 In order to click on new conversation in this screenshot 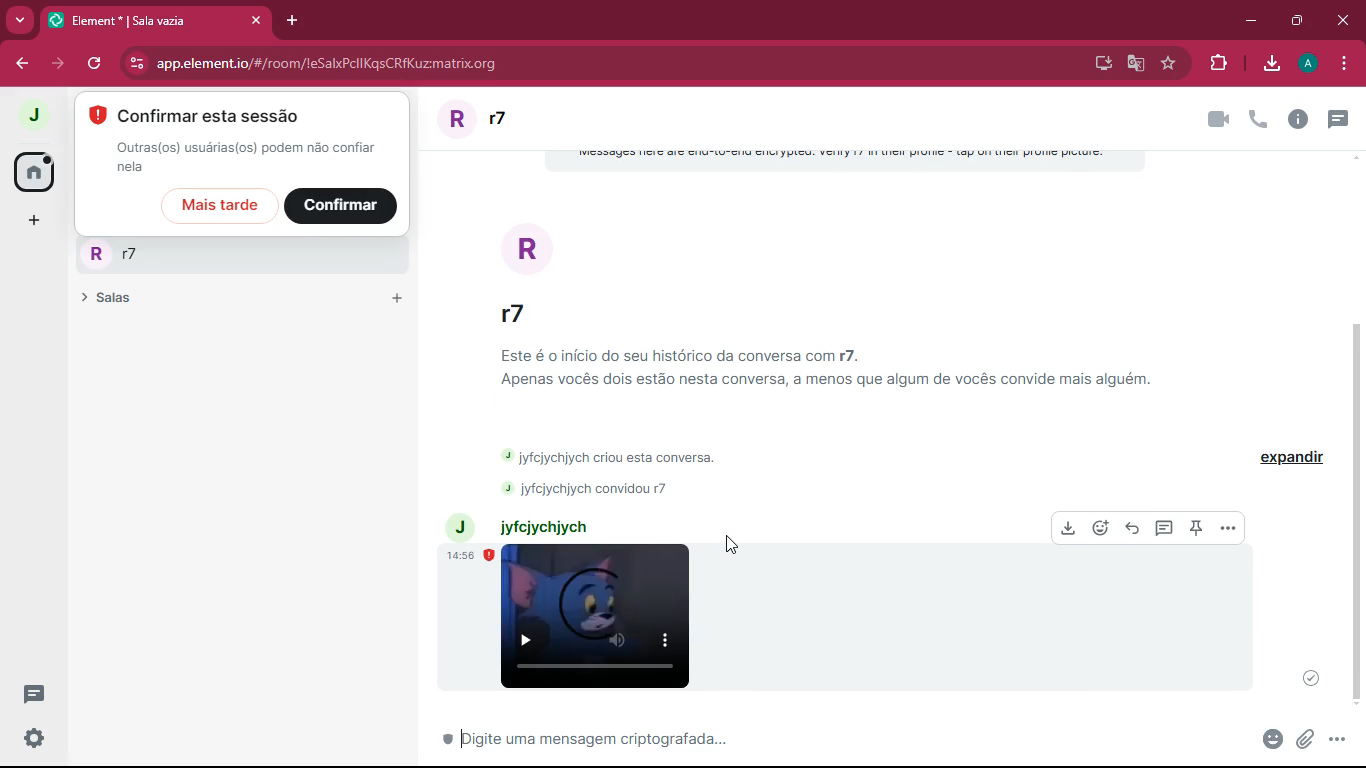, I will do `click(37, 696)`.